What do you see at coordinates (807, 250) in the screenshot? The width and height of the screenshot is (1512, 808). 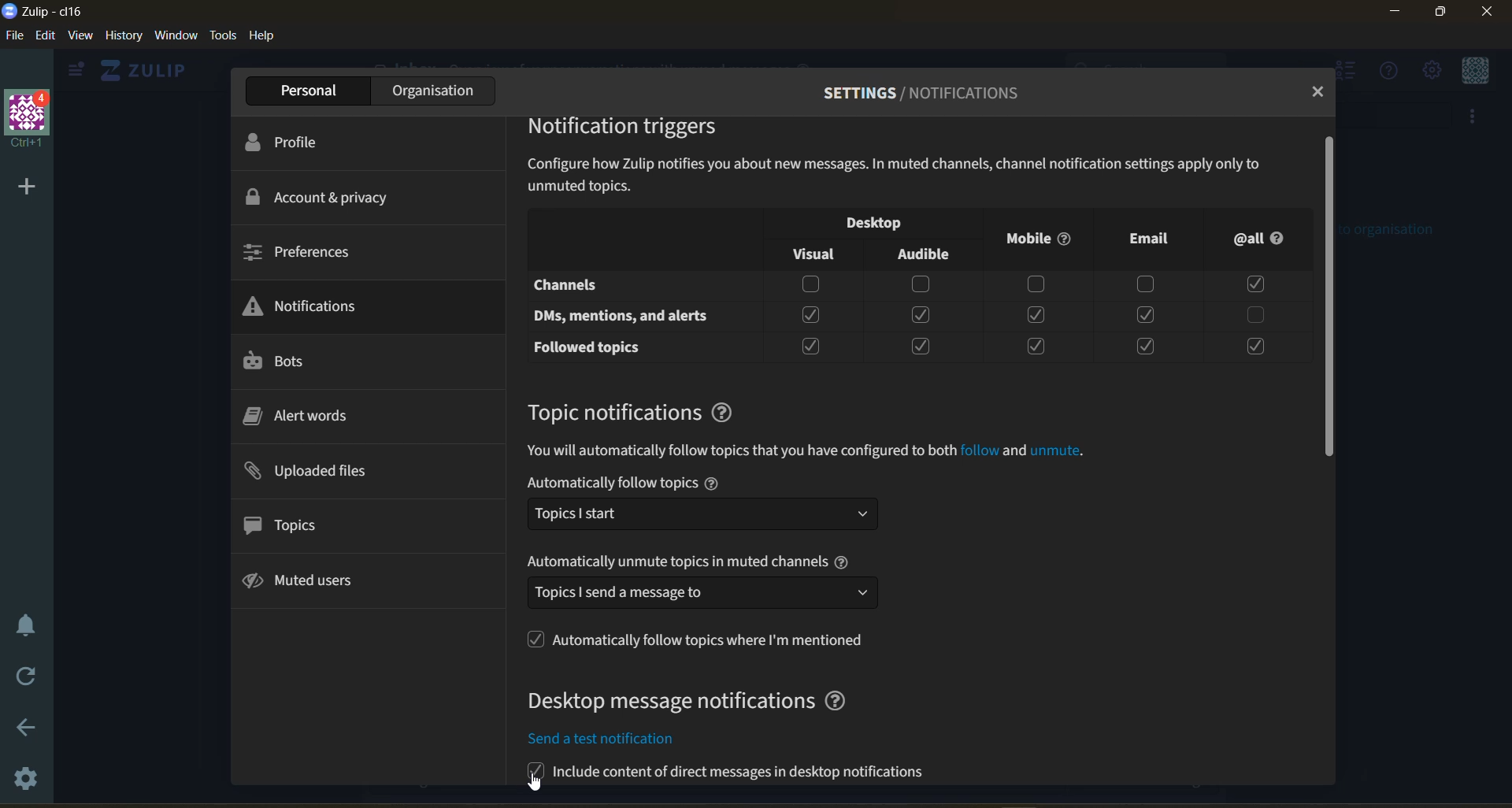 I see `Visual` at bounding box center [807, 250].